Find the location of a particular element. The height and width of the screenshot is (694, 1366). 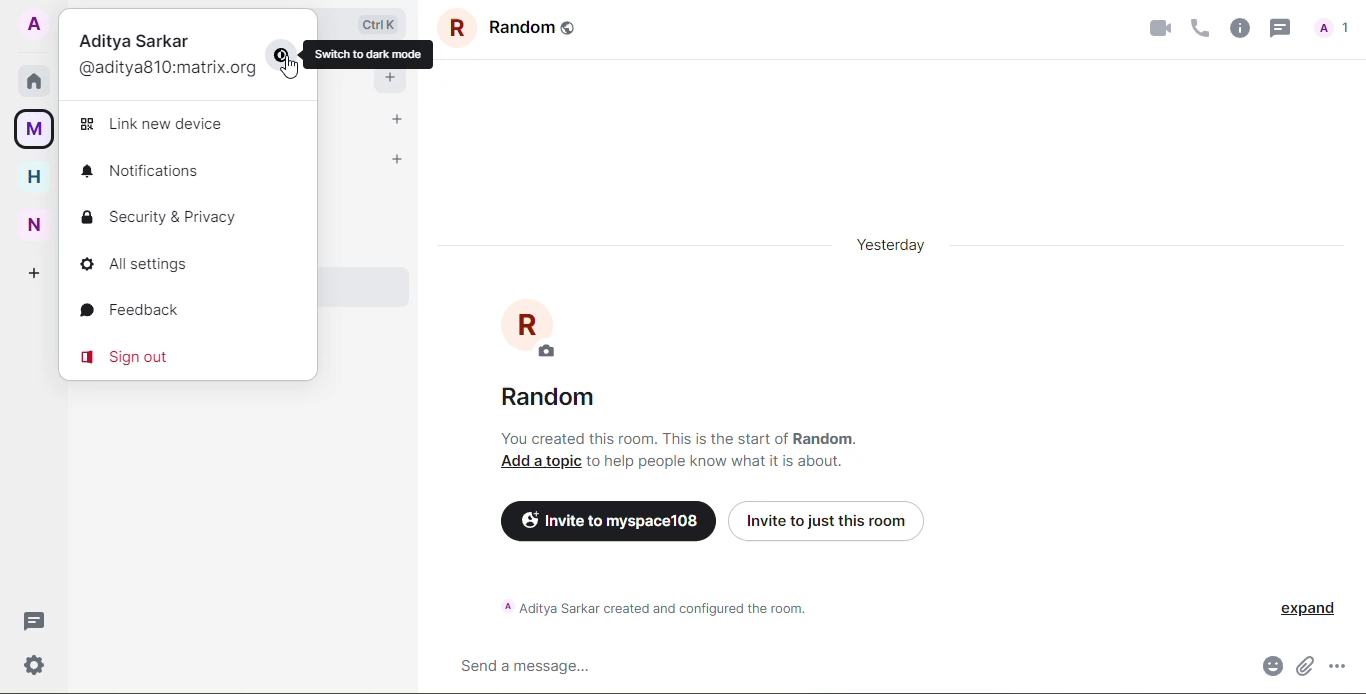

ctrl+k is located at coordinates (378, 22).